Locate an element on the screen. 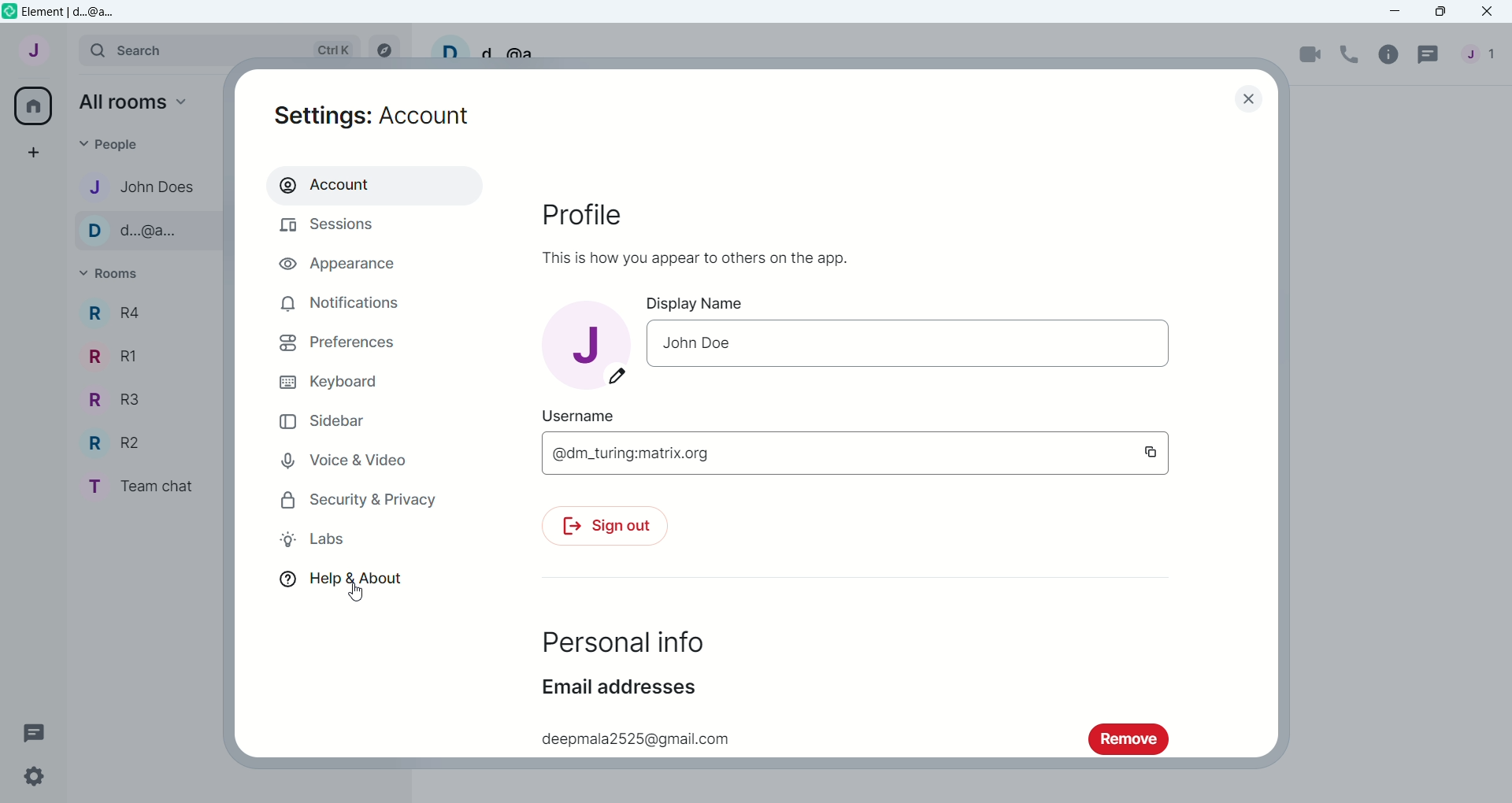  Maximize is located at coordinates (1439, 13).